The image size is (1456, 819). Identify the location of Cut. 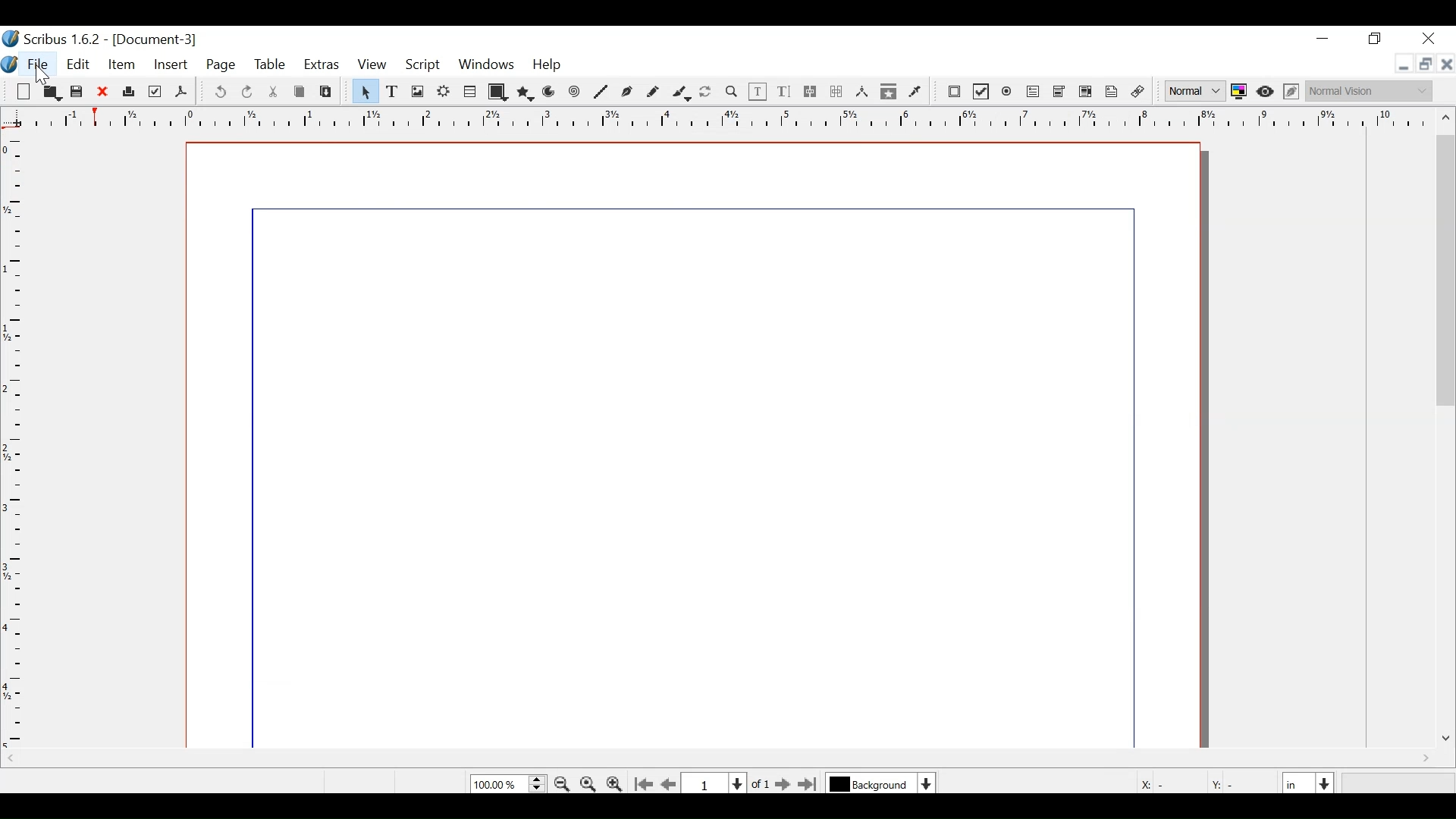
(275, 93).